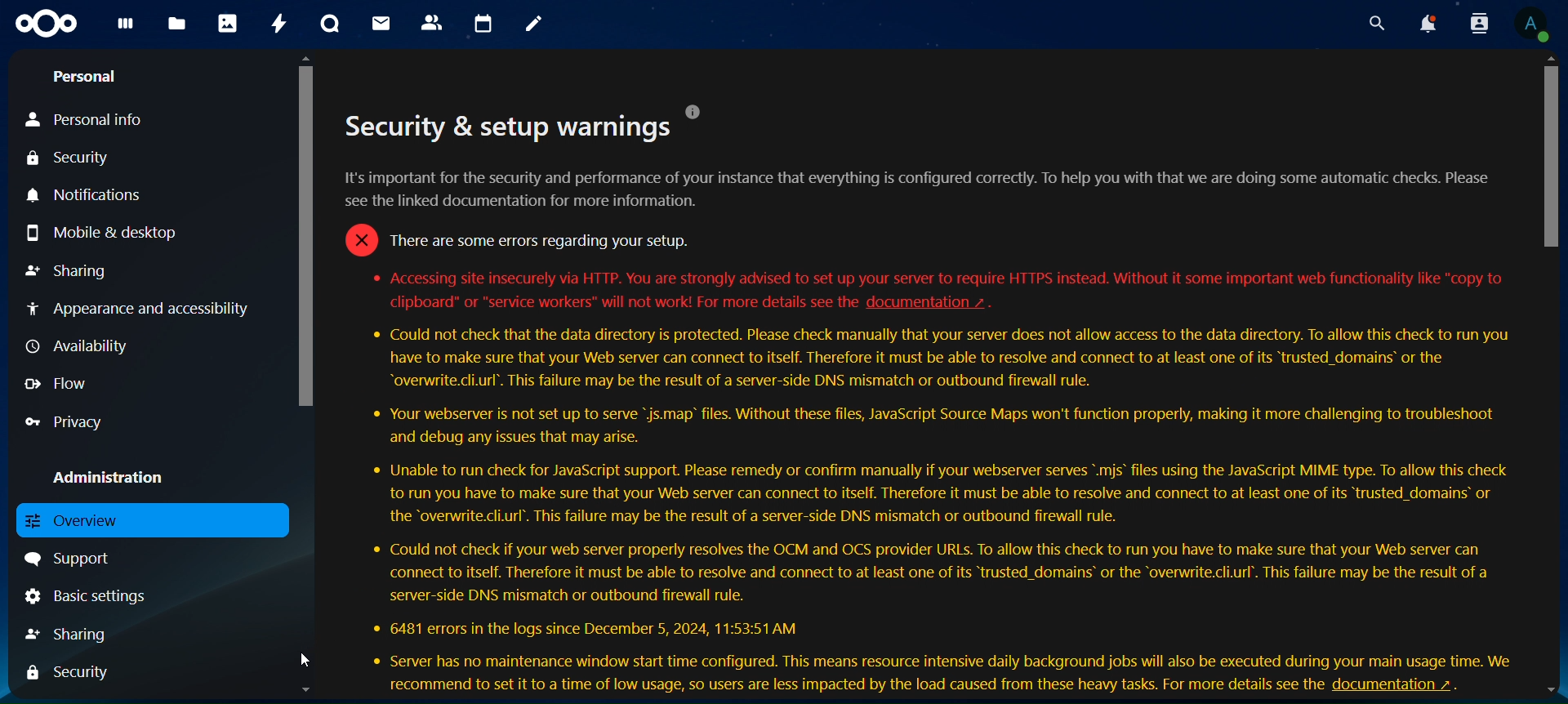 Image resolution: width=1568 pixels, height=704 pixels. What do you see at coordinates (102, 234) in the screenshot?
I see `mobile & desktop` at bounding box center [102, 234].